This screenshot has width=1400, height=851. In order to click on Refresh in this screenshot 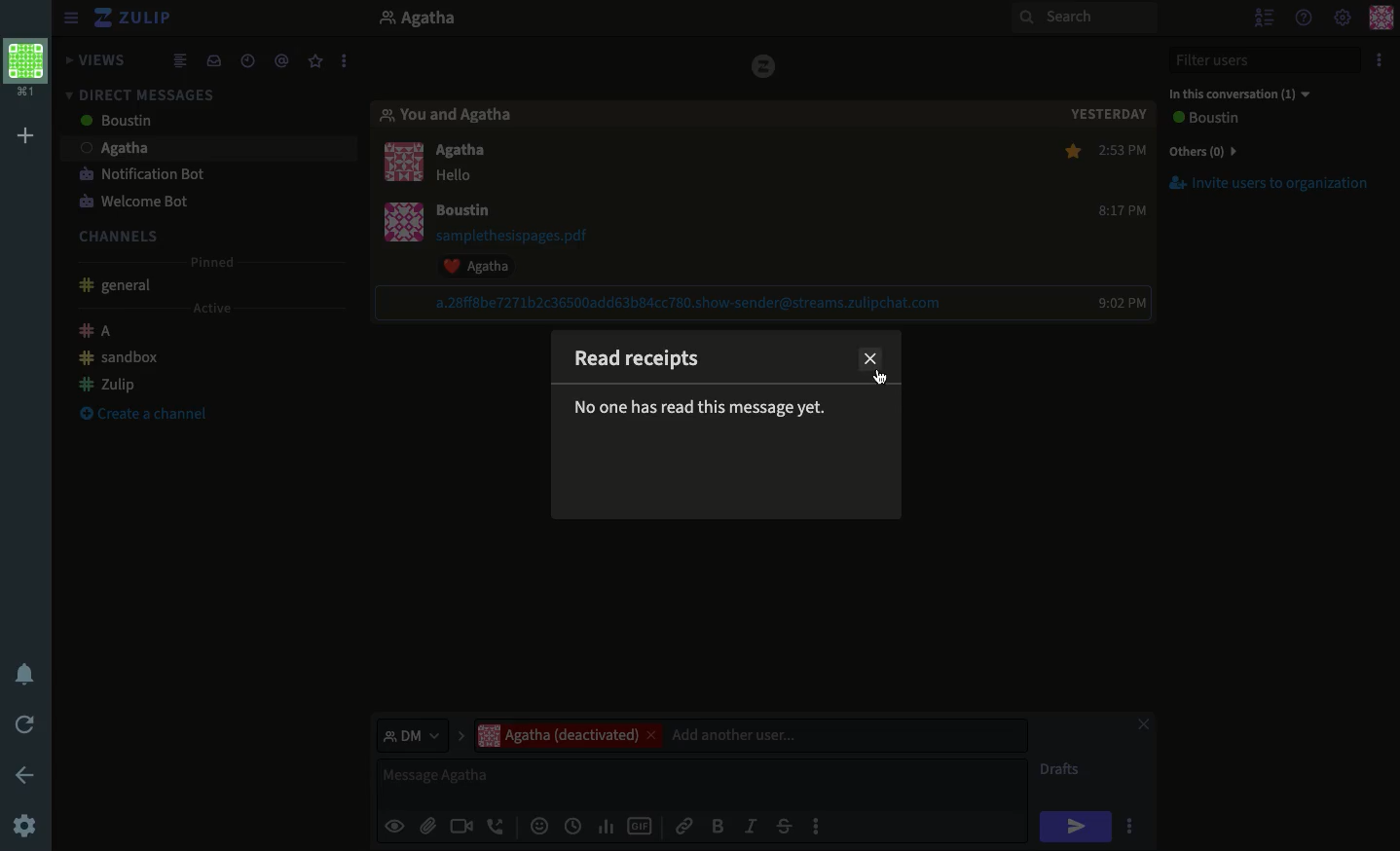, I will do `click(28, 722)`.